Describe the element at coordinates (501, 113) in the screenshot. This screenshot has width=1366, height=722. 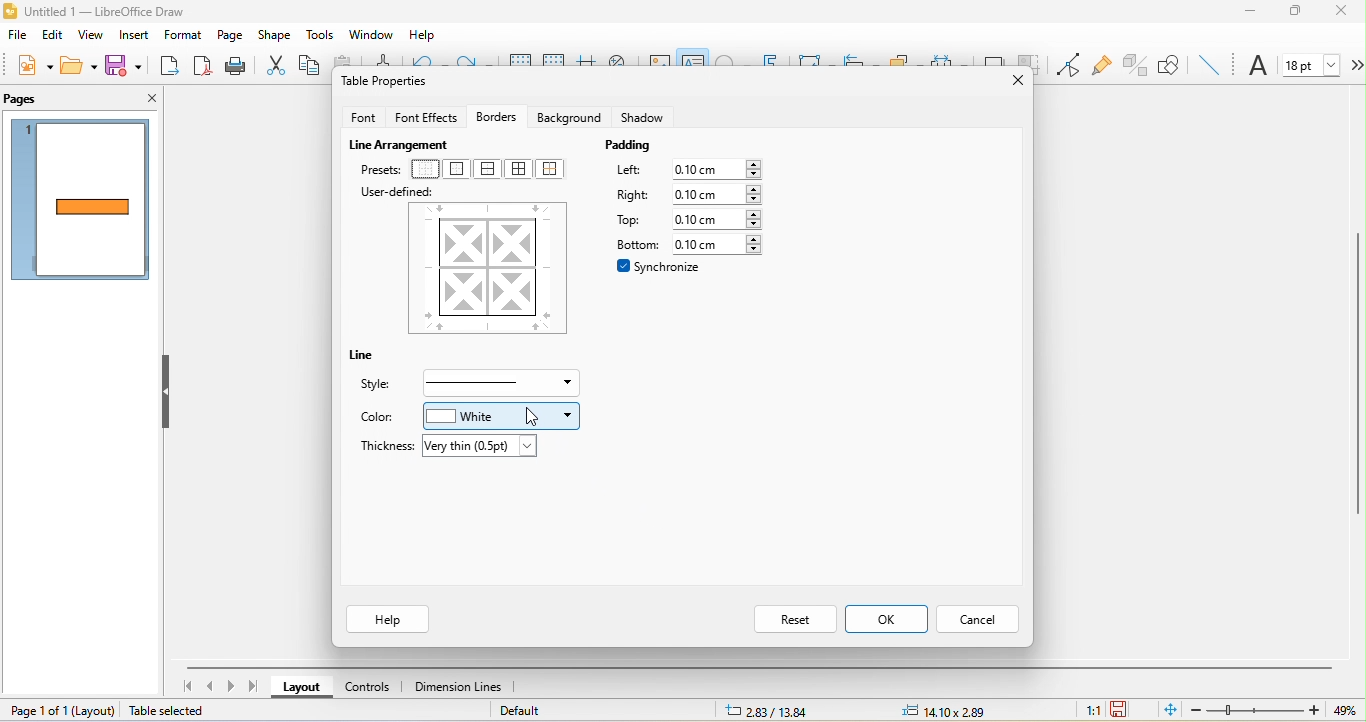
I see `borders` at that location.